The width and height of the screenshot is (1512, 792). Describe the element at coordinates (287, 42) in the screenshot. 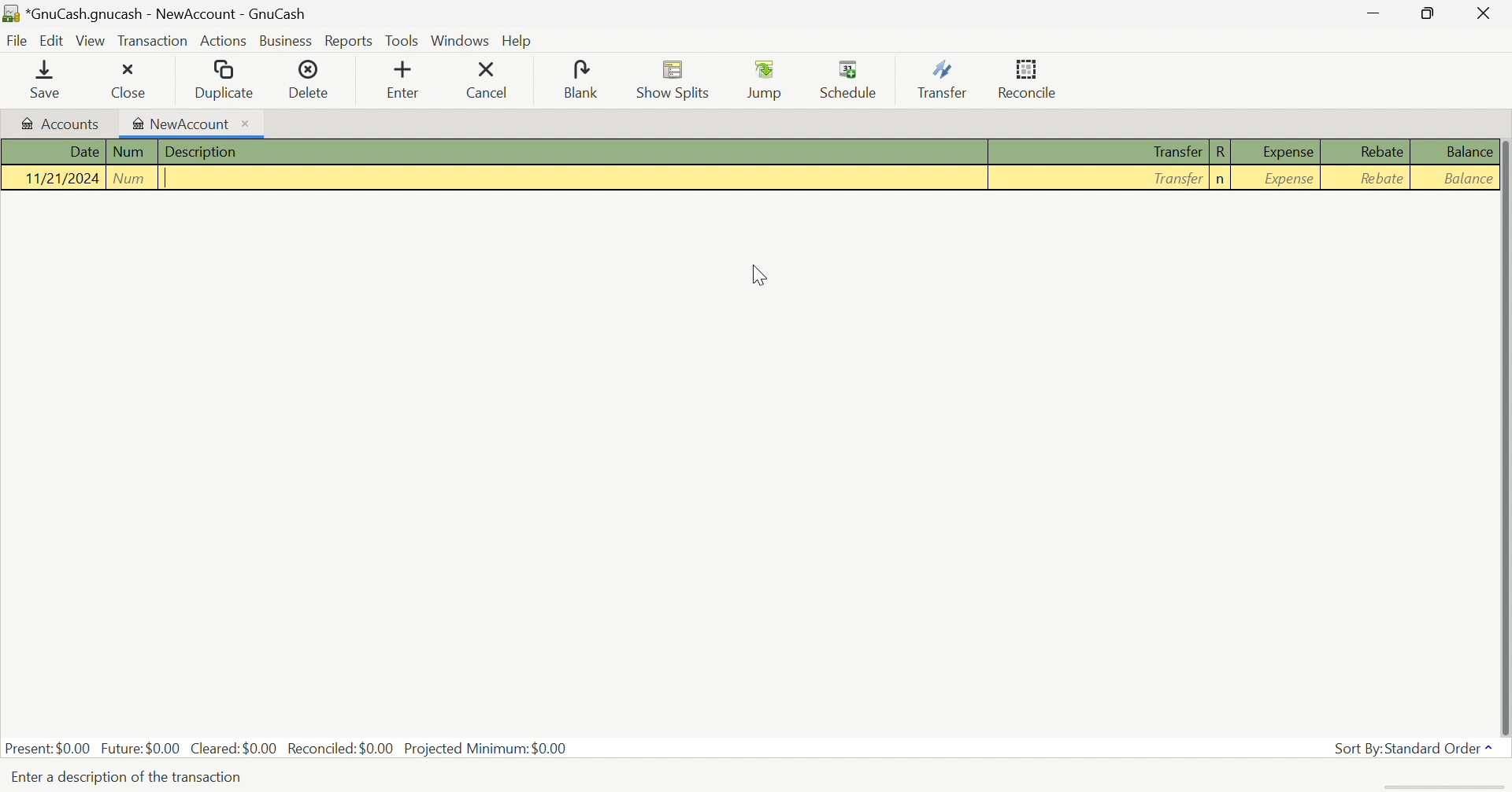

I see `Business` at that location.